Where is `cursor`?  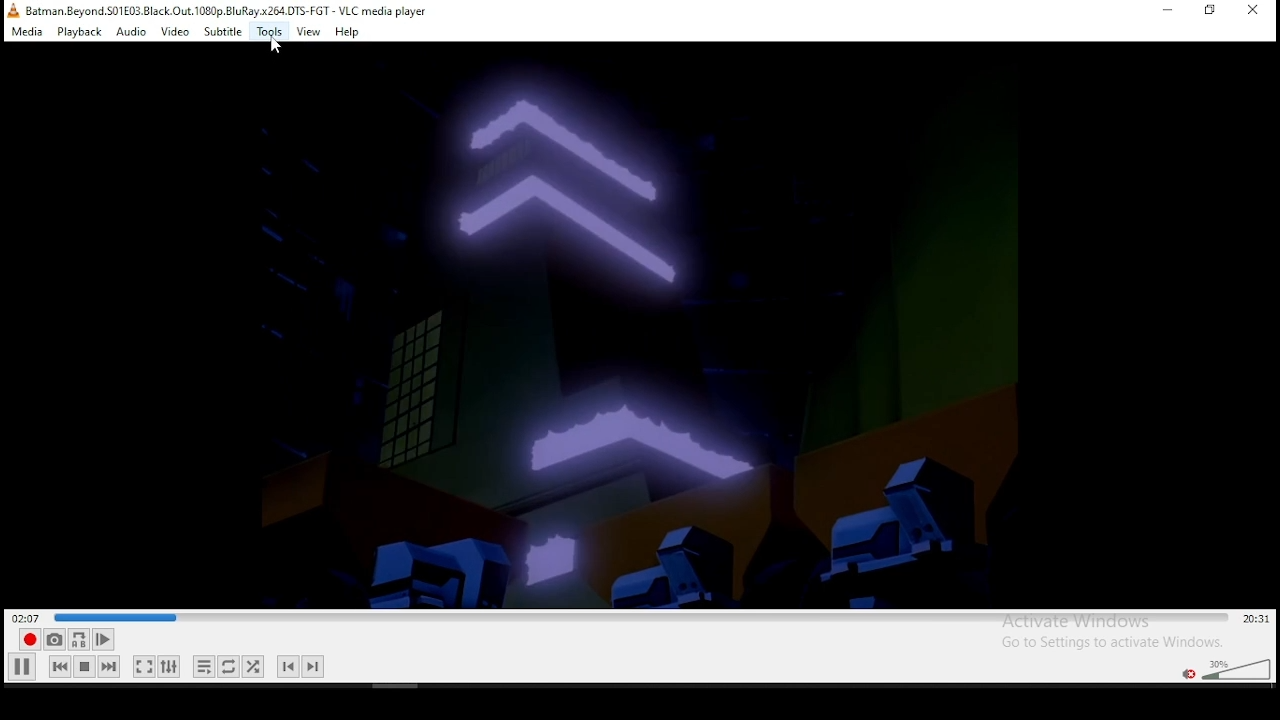
cursor is located at coordinates (275, 45).